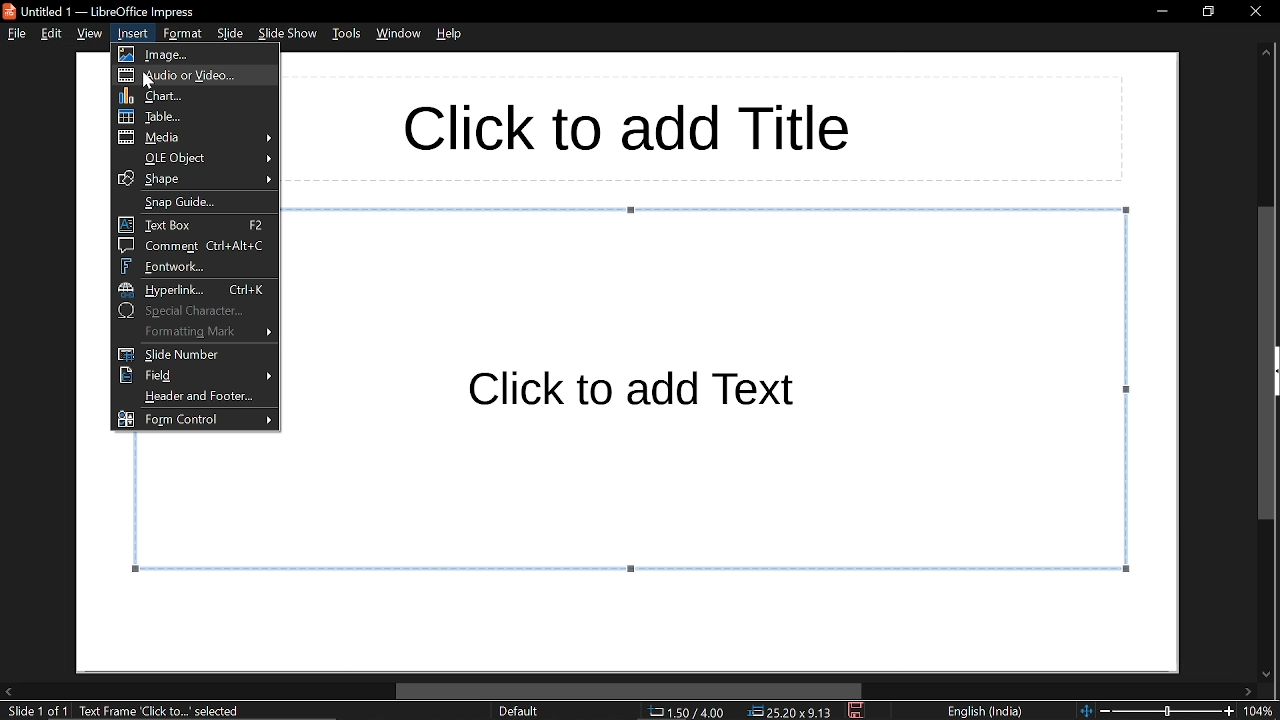 The width and height of the screenshot is (1280, 720). I want to click on restore down, so click(1206, 13).